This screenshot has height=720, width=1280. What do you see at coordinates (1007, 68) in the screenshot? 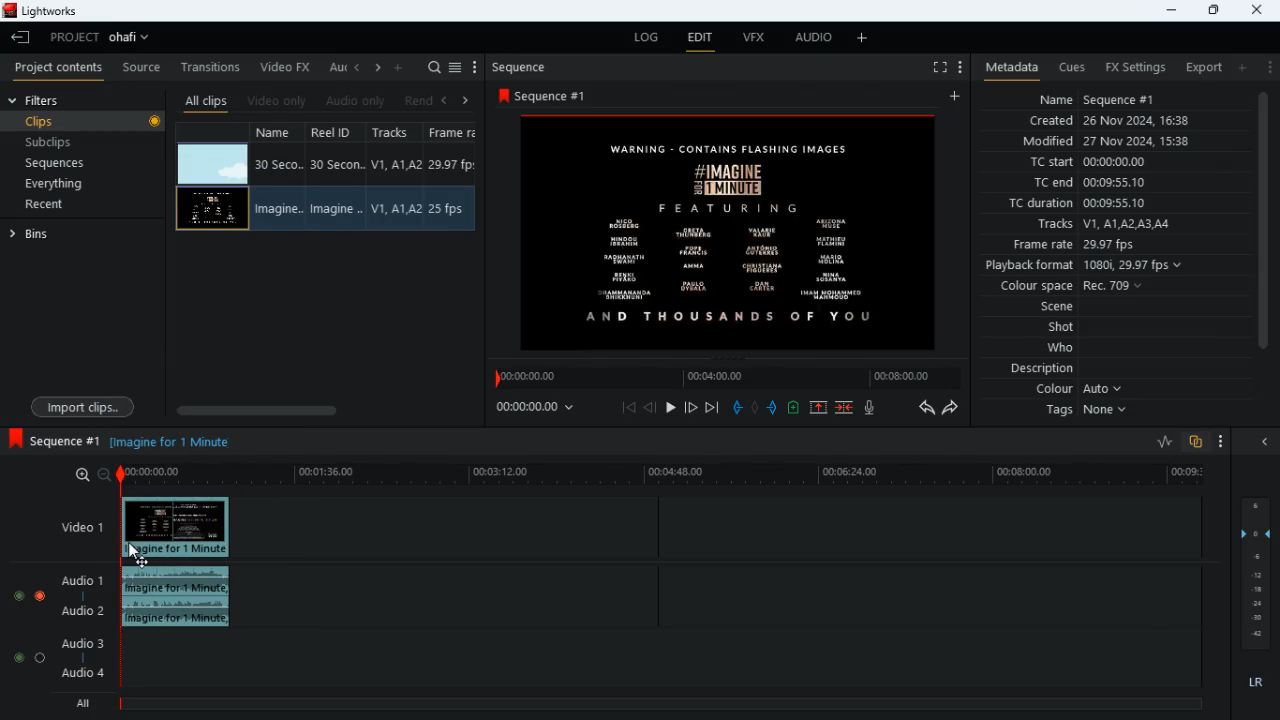
I see `metadata` at bounding box center [1007, 68].